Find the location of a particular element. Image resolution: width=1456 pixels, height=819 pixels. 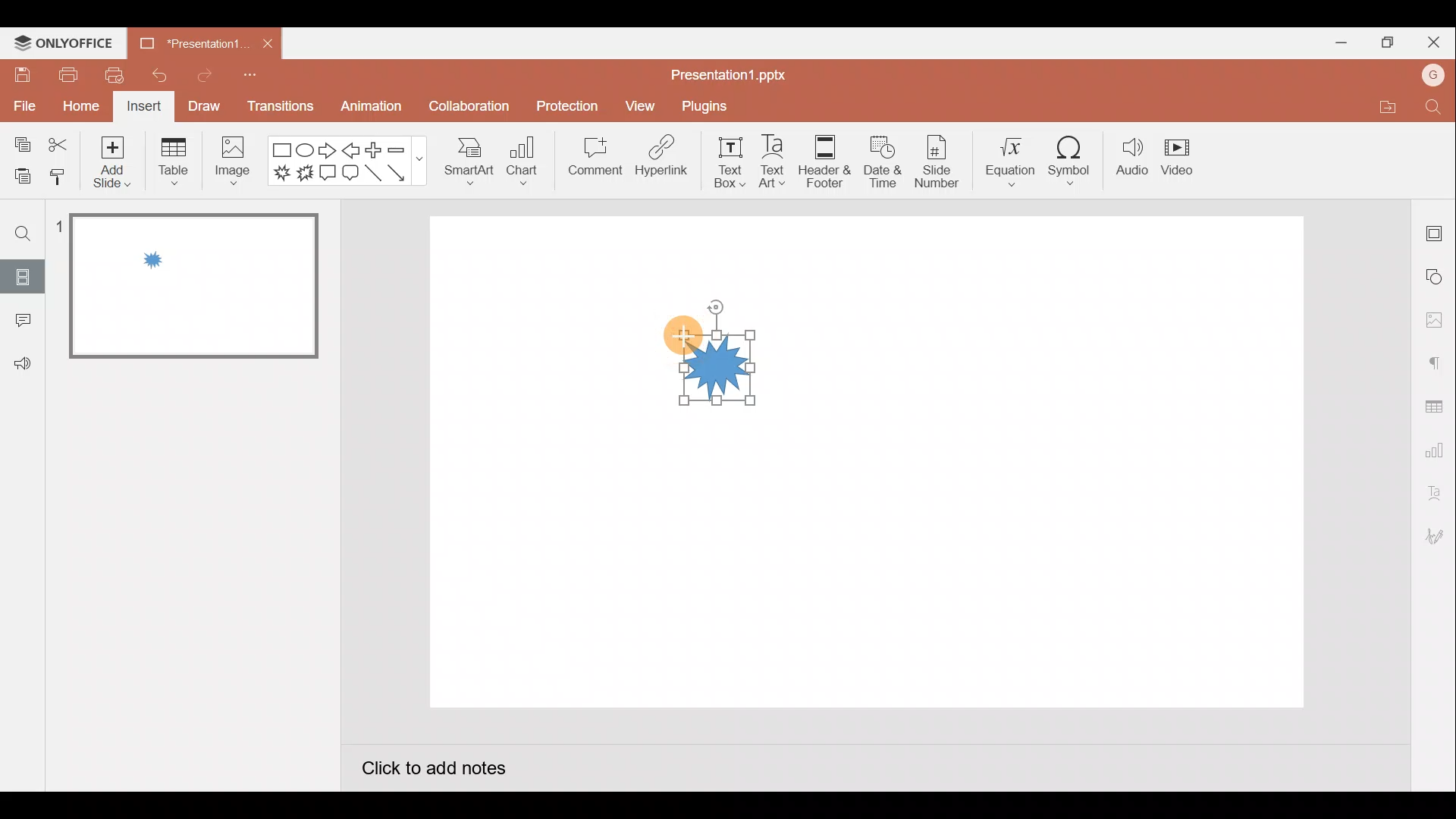

Minus is located at coordinates (400, 148).